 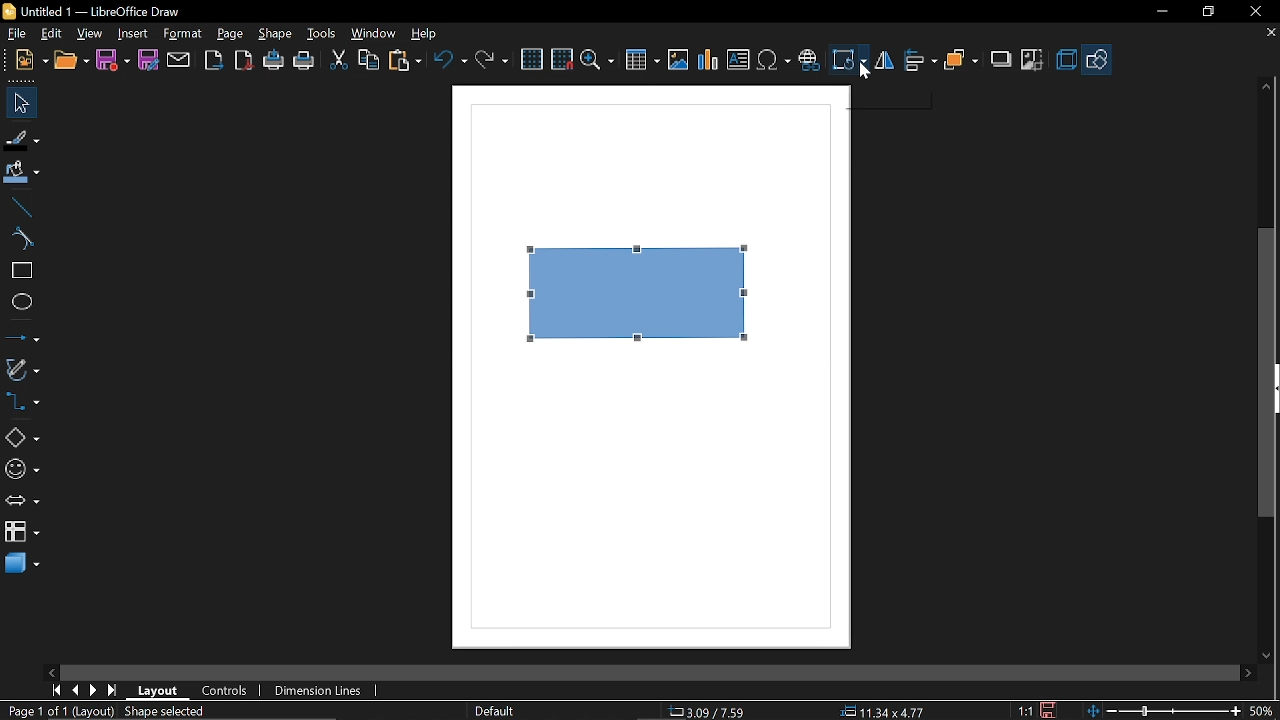 What do you see at coordinates (374, 36) in the screenshot?
I see `window` at bounding box center [374, 36].